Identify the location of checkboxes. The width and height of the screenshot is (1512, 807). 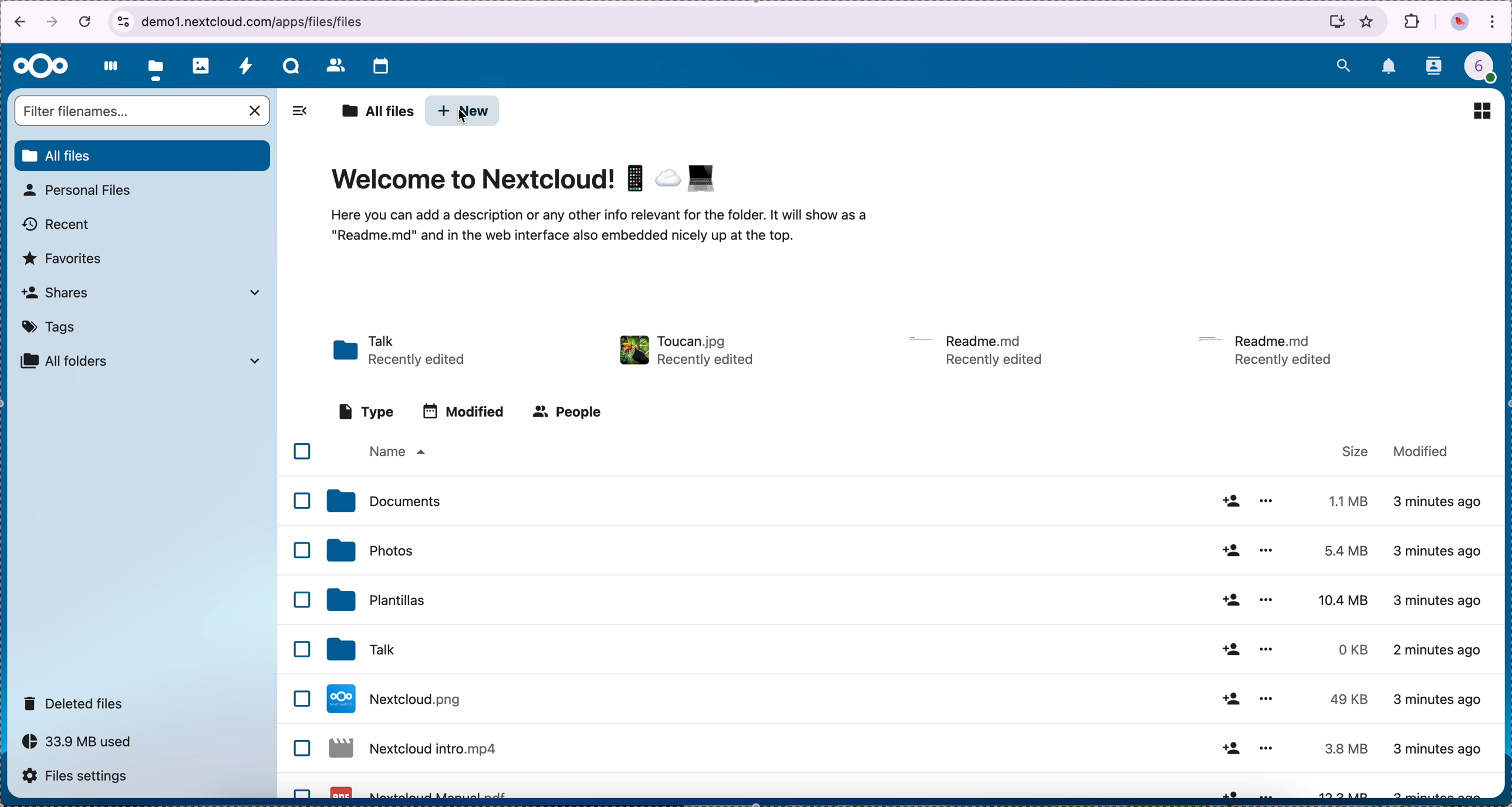
(301, 618).